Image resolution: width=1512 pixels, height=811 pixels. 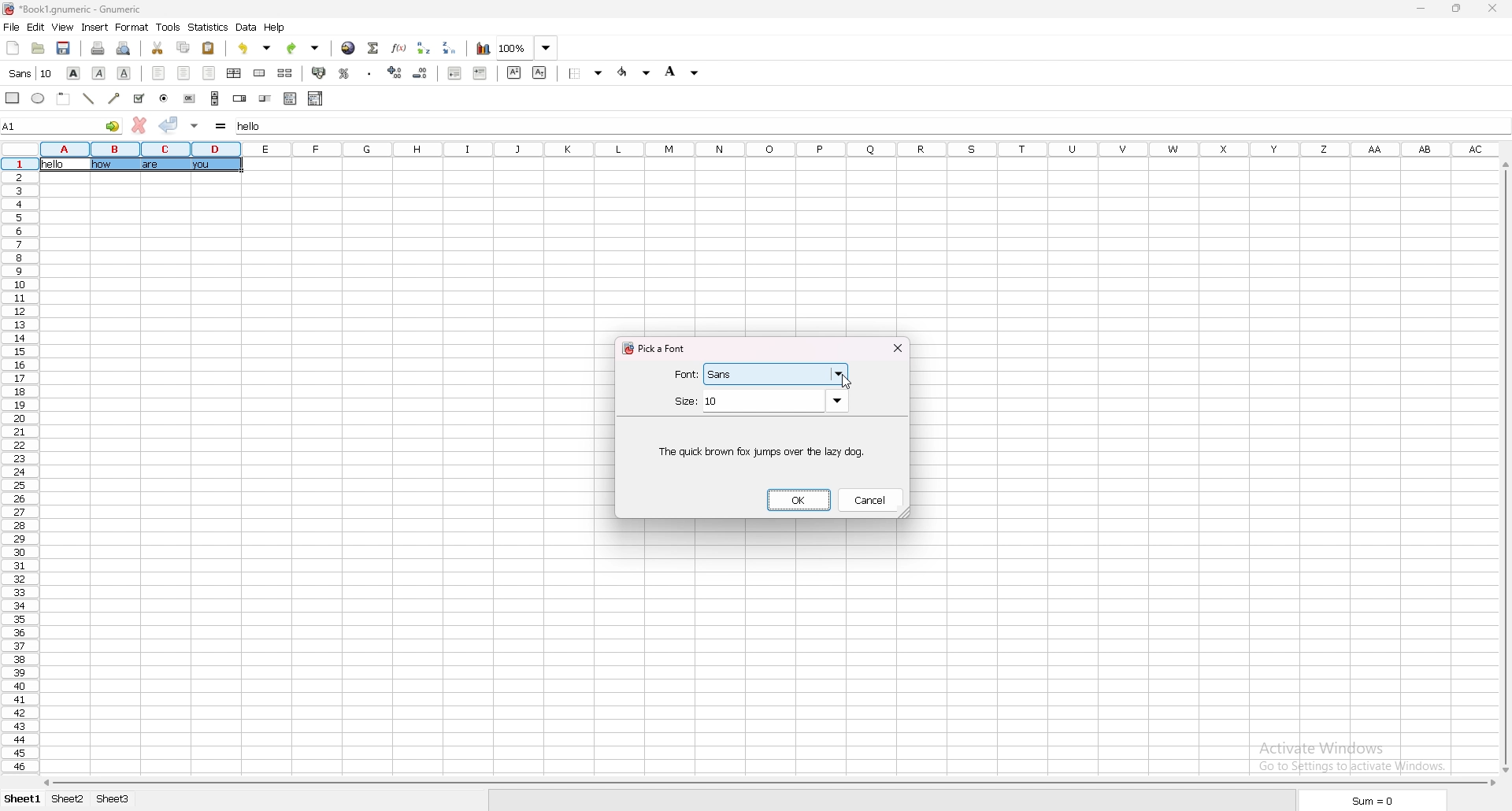 What do you see at coordinates (61, 125) in the screenshot?
I see `selected cell` at bounding box center [61, 125].